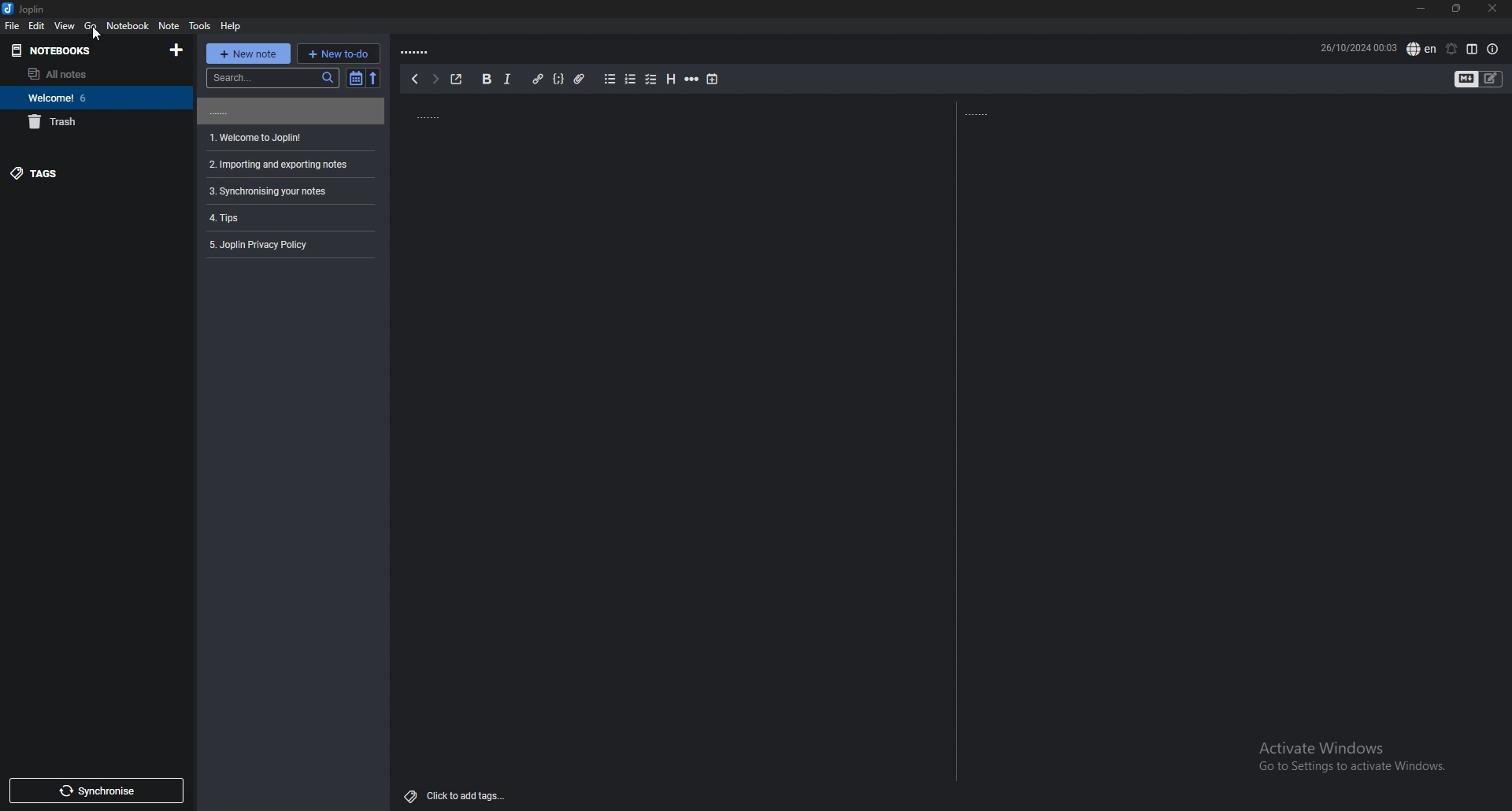  Describe the element at coordinates (436, 50) in the screenshot. I see `note name` at that location.